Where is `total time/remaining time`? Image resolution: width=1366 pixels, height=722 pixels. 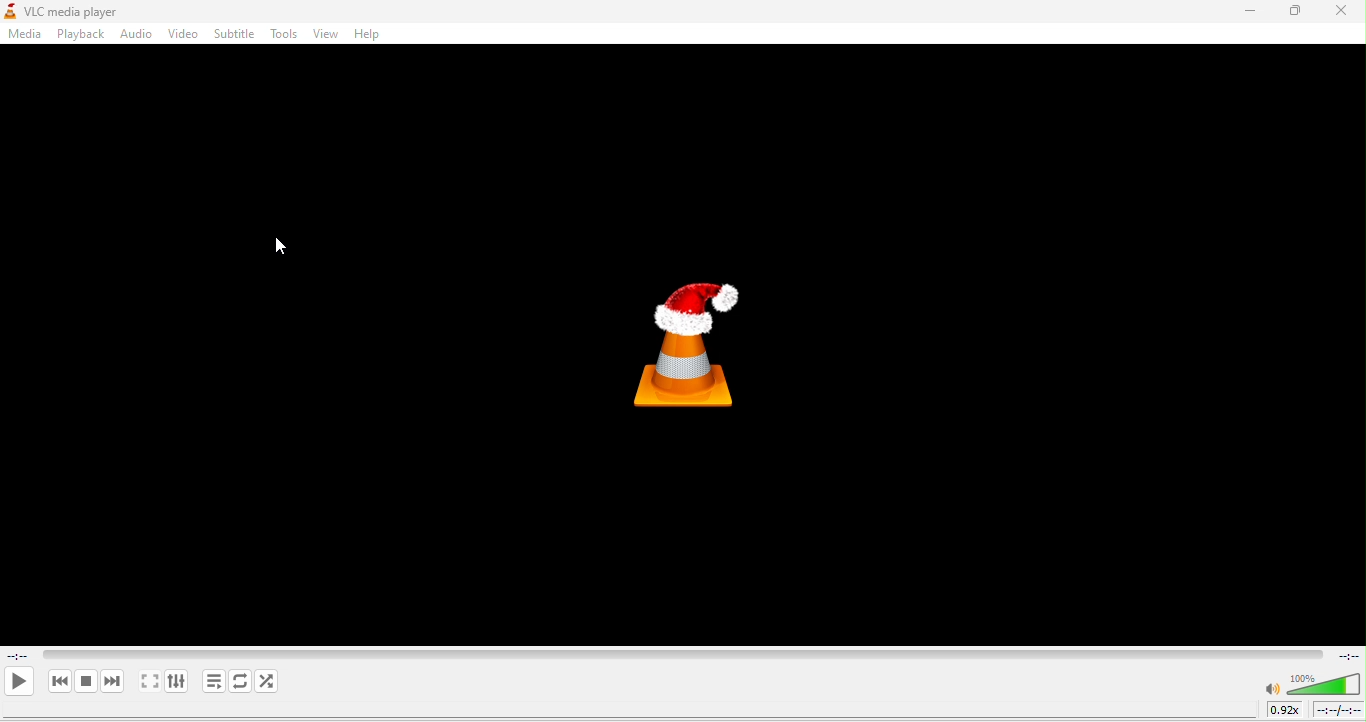
total time/remaining time is located at coordinates (1337, 710).